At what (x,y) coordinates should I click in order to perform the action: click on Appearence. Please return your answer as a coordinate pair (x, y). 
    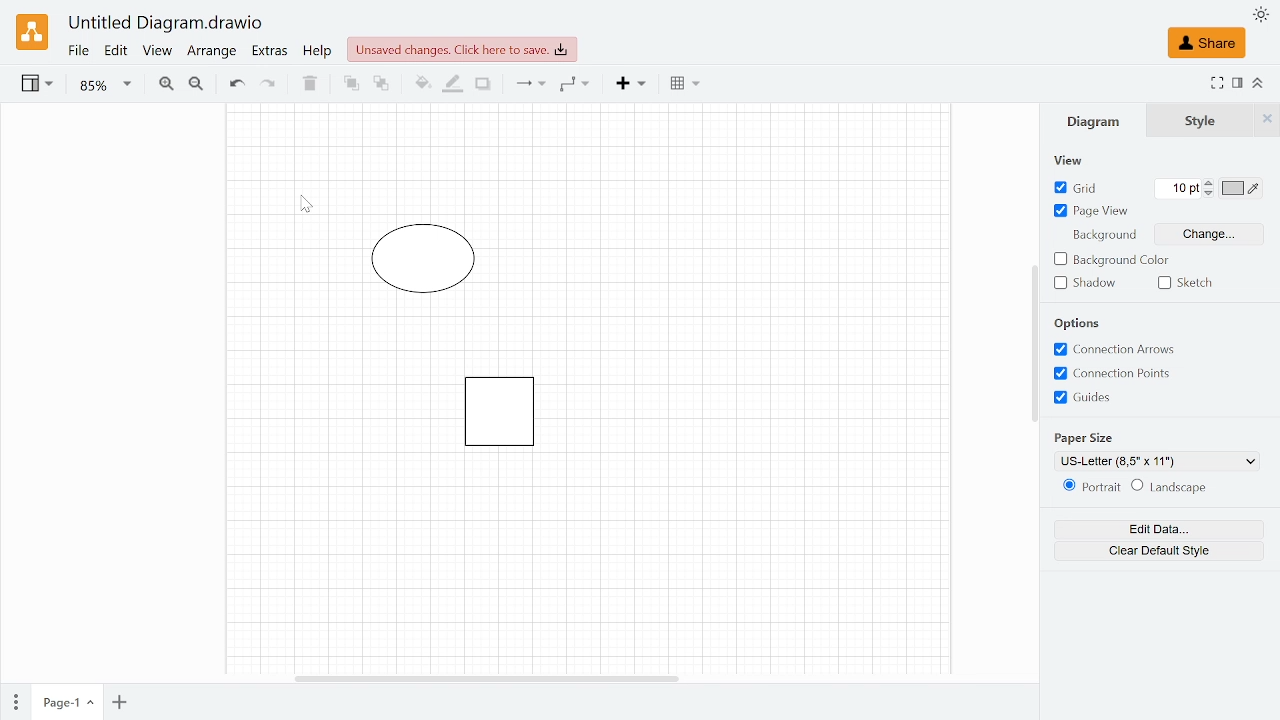
    Looking at the image, I should click on (1260, 14).